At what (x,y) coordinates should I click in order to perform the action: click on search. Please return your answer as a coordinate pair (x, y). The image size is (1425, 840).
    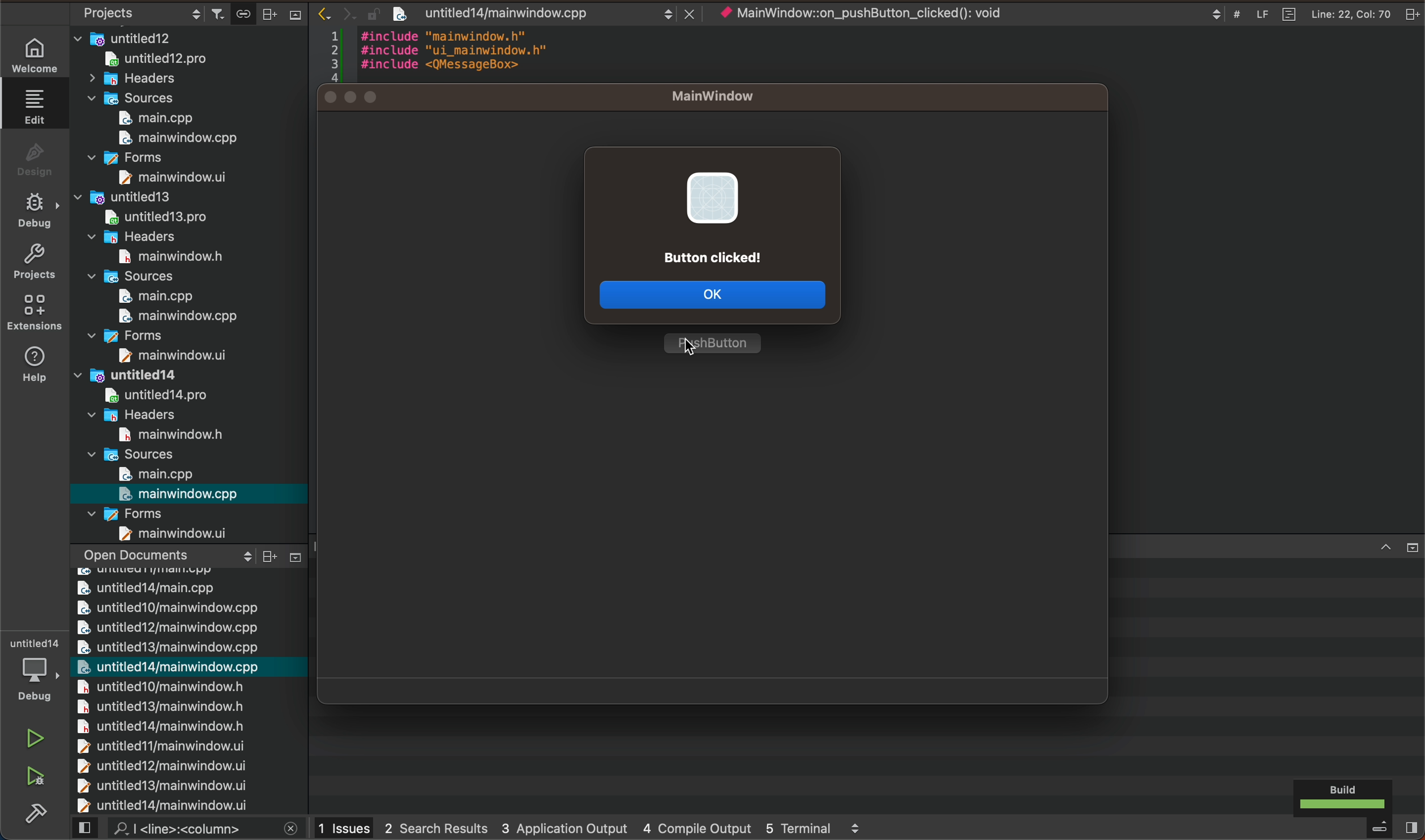
    Looking at the image, I should click on (188, 829).